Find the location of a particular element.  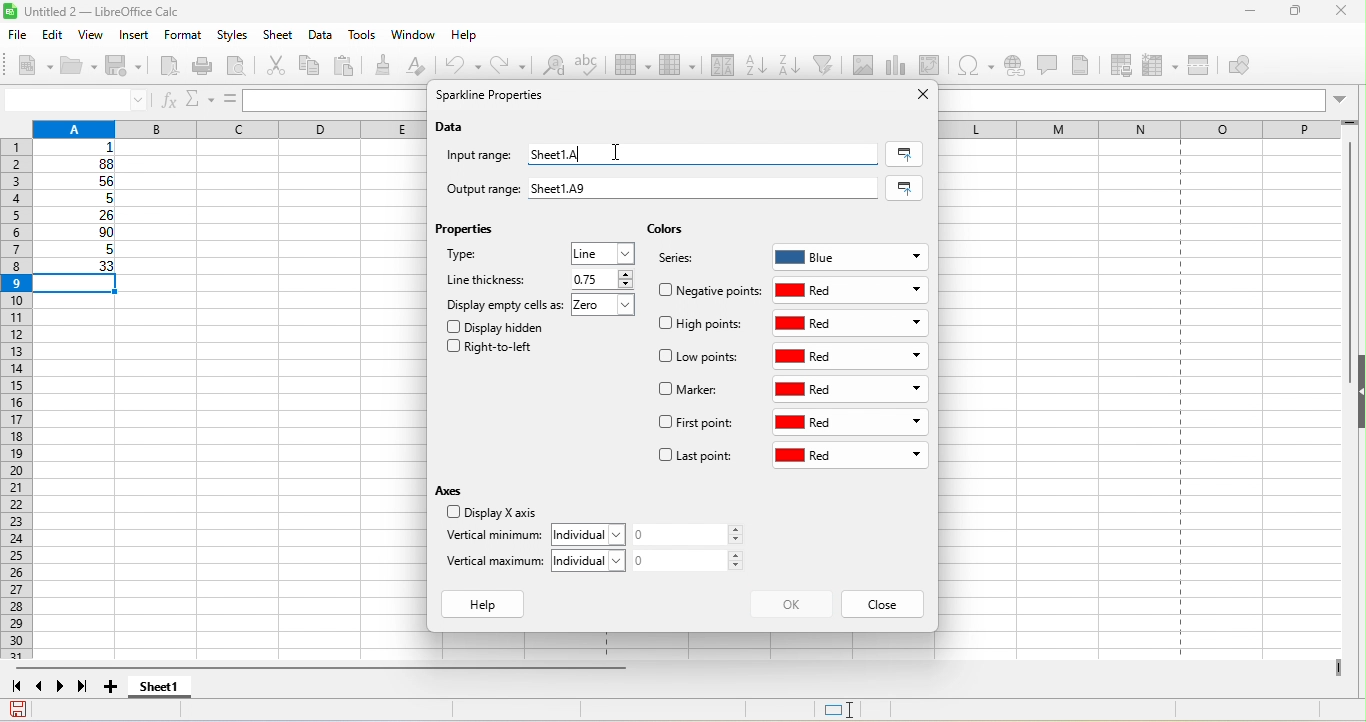

individual is located at coordinates (594, 560).